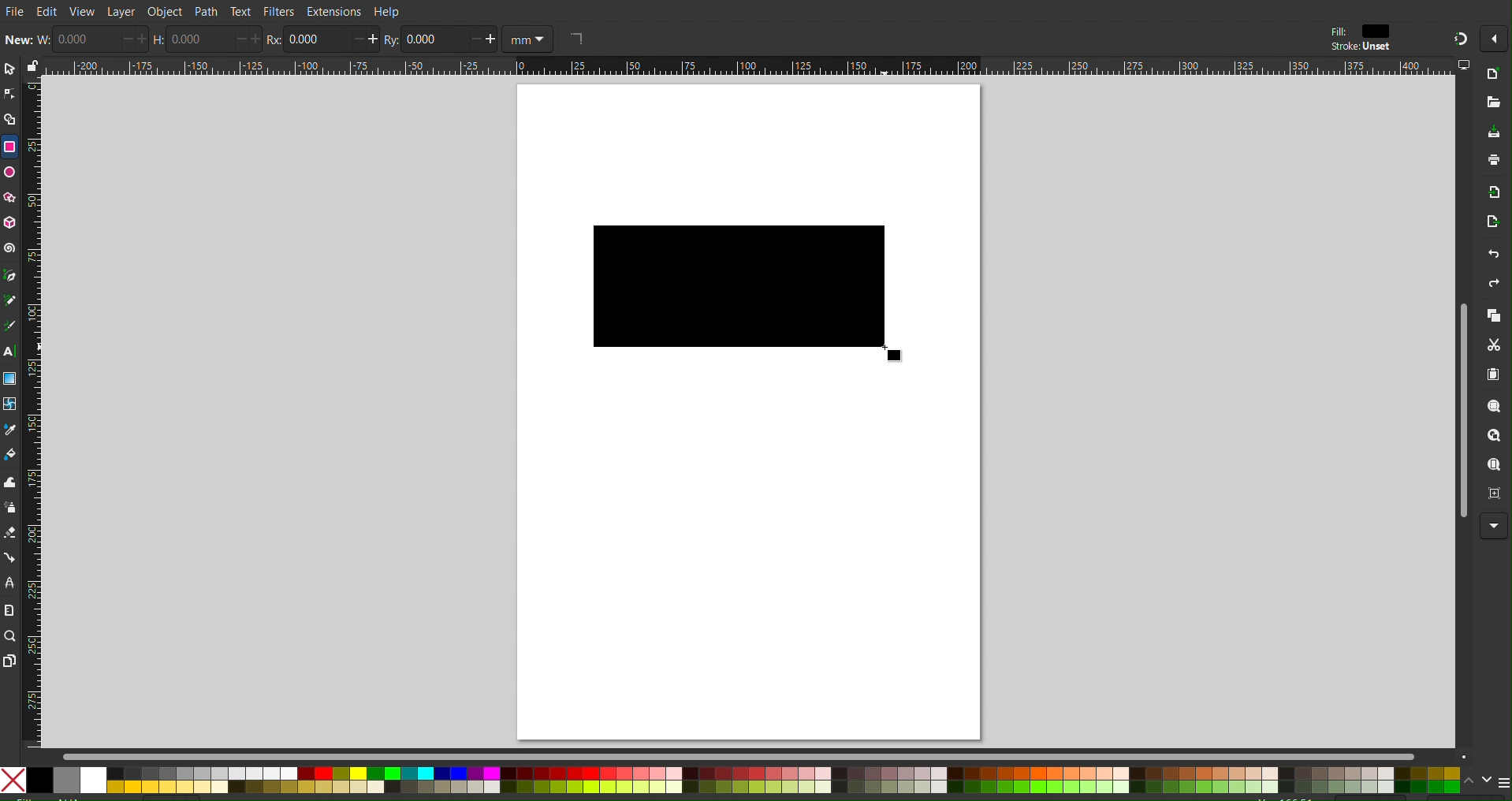 The image size is (1512, 801). What do you see at coordinates (9, 300) in the screenshot?
I see `Pencil Tool` at bounding box center [9, 300].